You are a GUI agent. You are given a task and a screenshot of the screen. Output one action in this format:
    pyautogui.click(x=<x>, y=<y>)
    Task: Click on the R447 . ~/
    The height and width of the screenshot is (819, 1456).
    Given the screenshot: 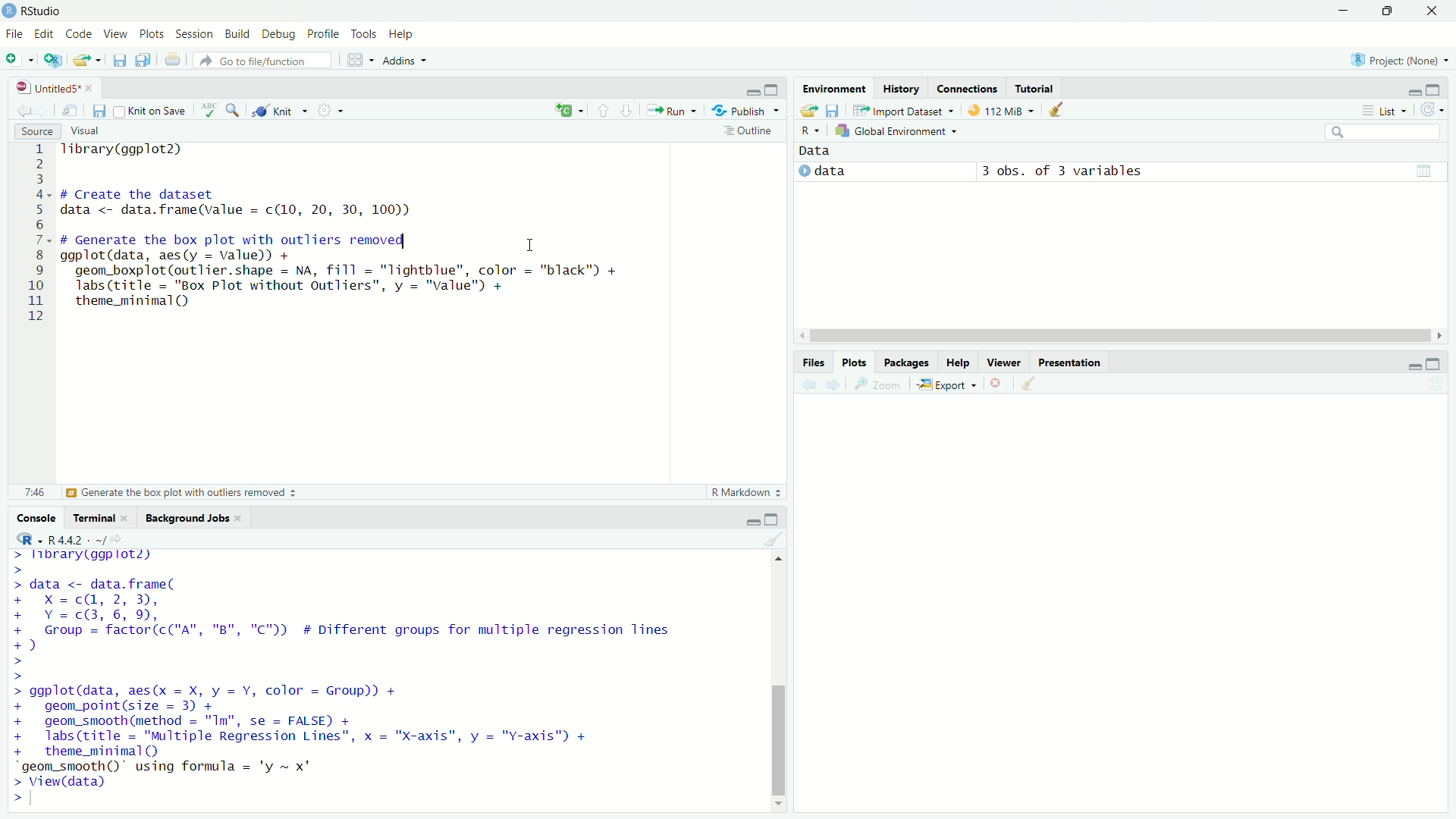 What is the action you would take?
    pyautogui.click(x=62, y=537)
    